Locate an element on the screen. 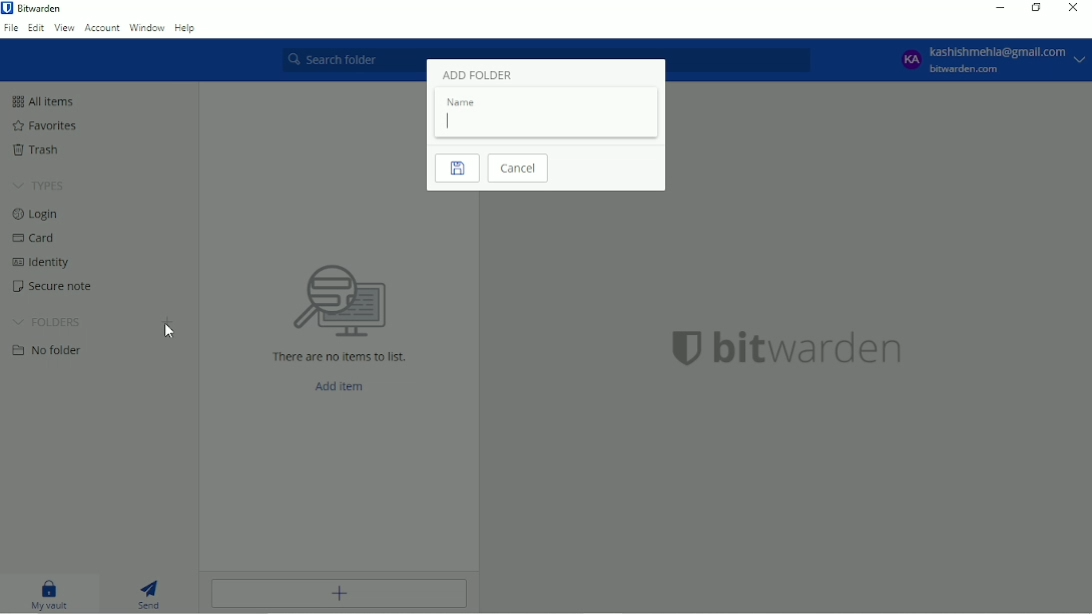  Send is located at coordinates (154, 594).